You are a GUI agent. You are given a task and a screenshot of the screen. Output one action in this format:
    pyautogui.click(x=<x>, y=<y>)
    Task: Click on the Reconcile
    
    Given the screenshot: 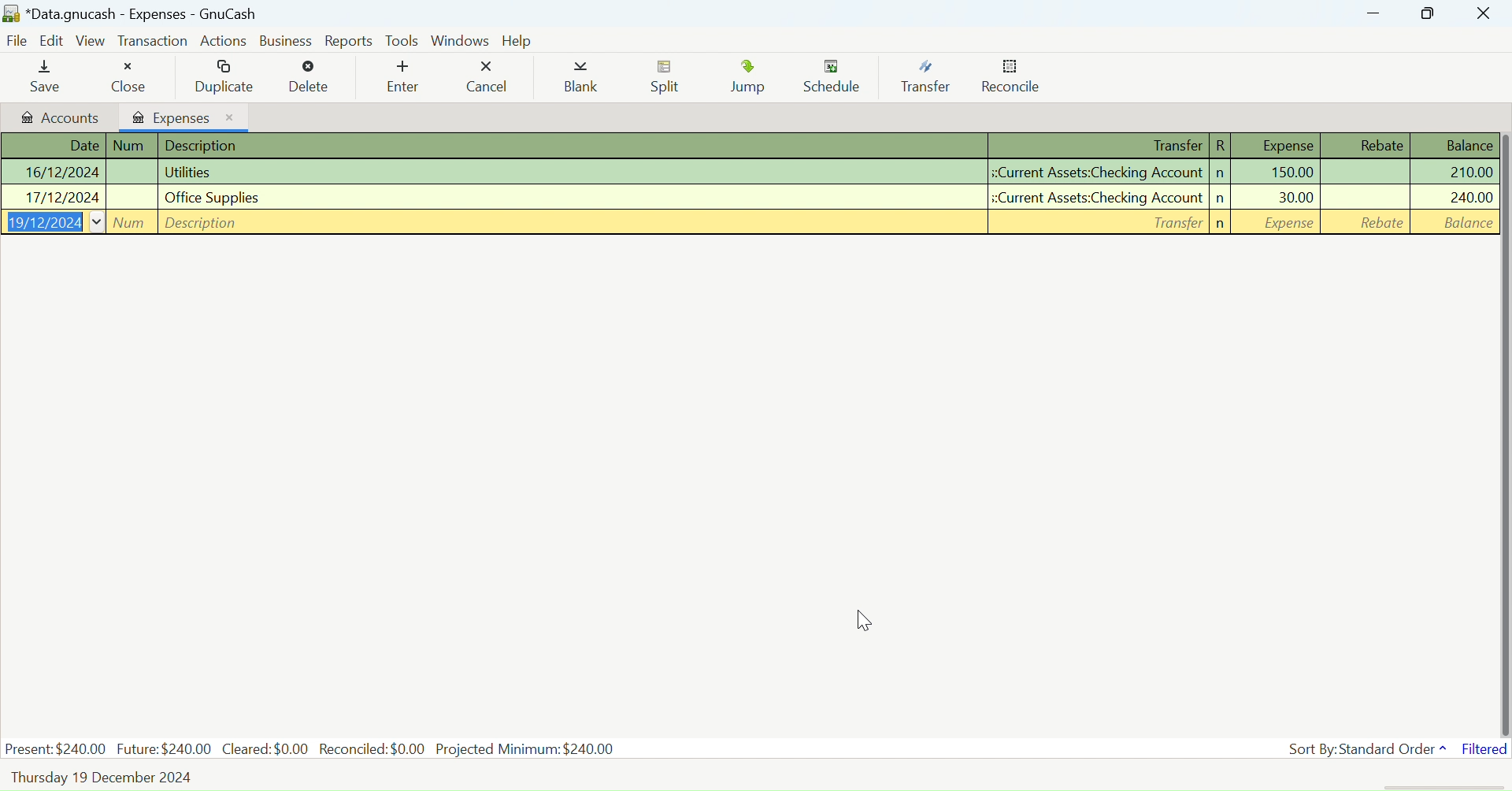 What is the action you would take?
    pyautogui.click(x=1012, y=80)
    